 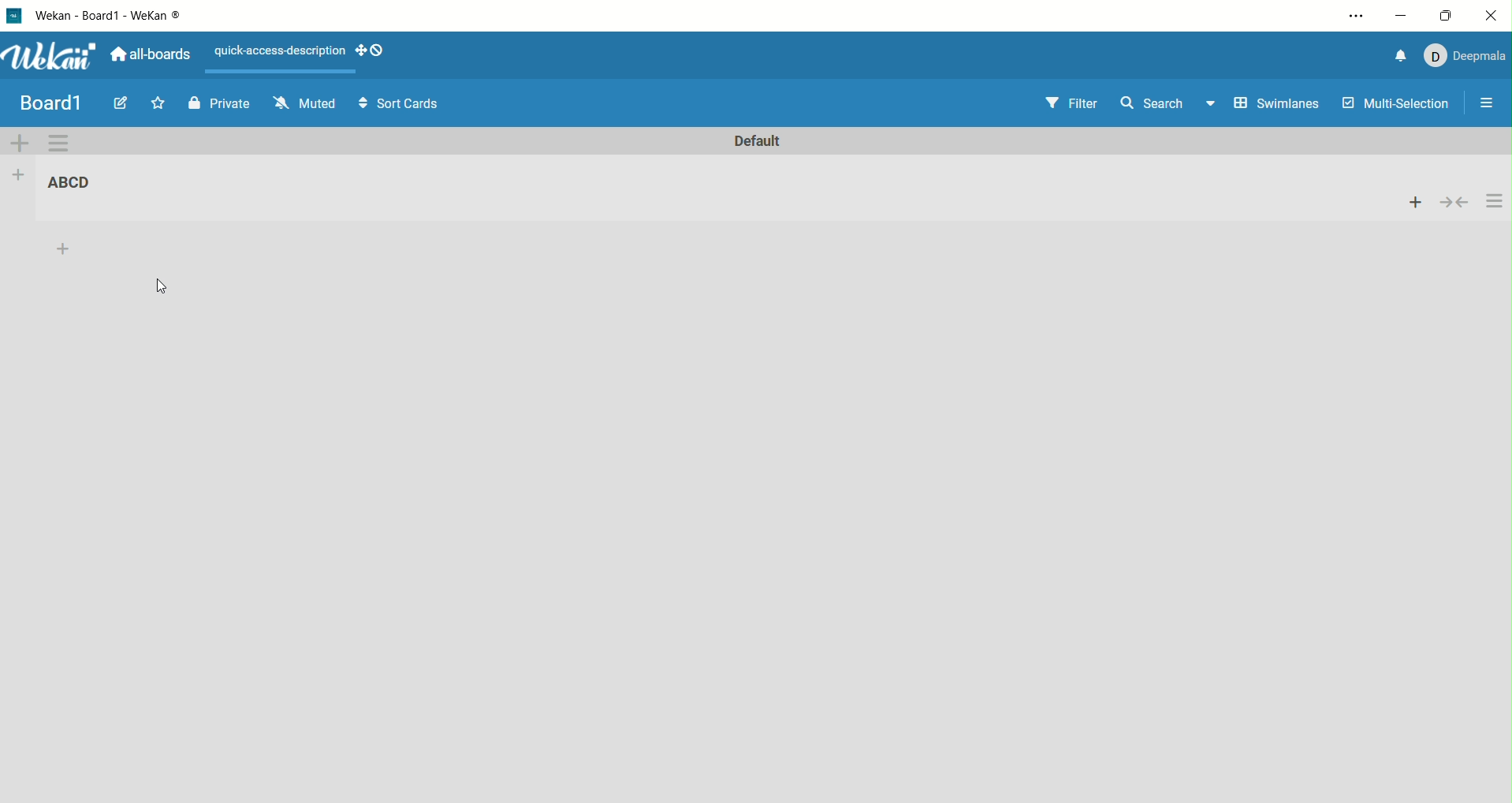 What do you see at coordinates (378, 50) in the screenshot?
I see `show-desktop-drag- handles` at bounding box center [378, 50].